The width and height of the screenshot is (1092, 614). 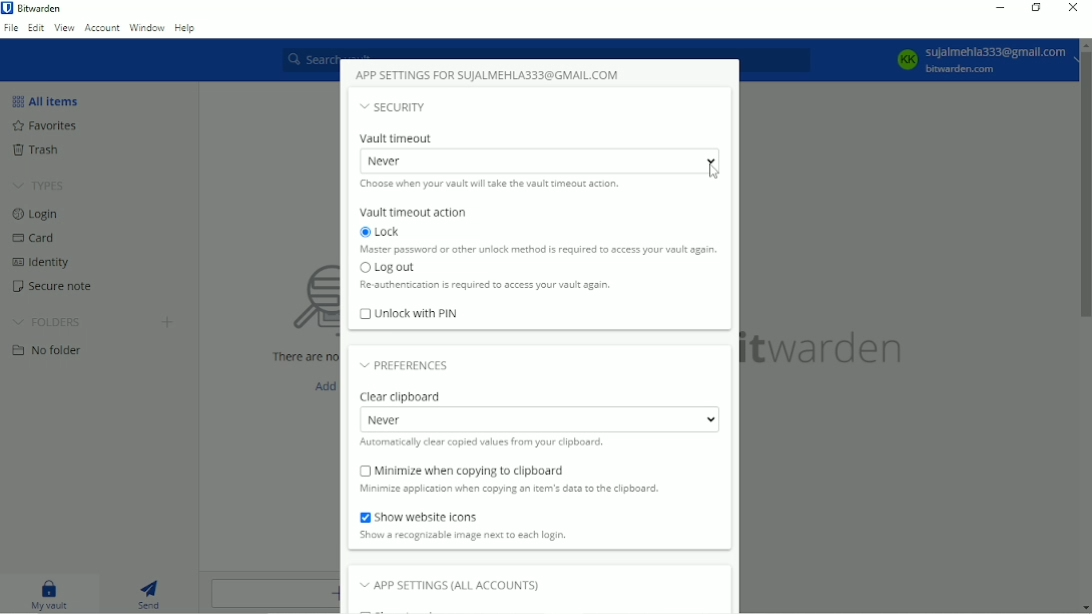 What do you see at coordinates (1074, 9) in the screenshot?
I see `Close` at bounding box center [1074, 9].